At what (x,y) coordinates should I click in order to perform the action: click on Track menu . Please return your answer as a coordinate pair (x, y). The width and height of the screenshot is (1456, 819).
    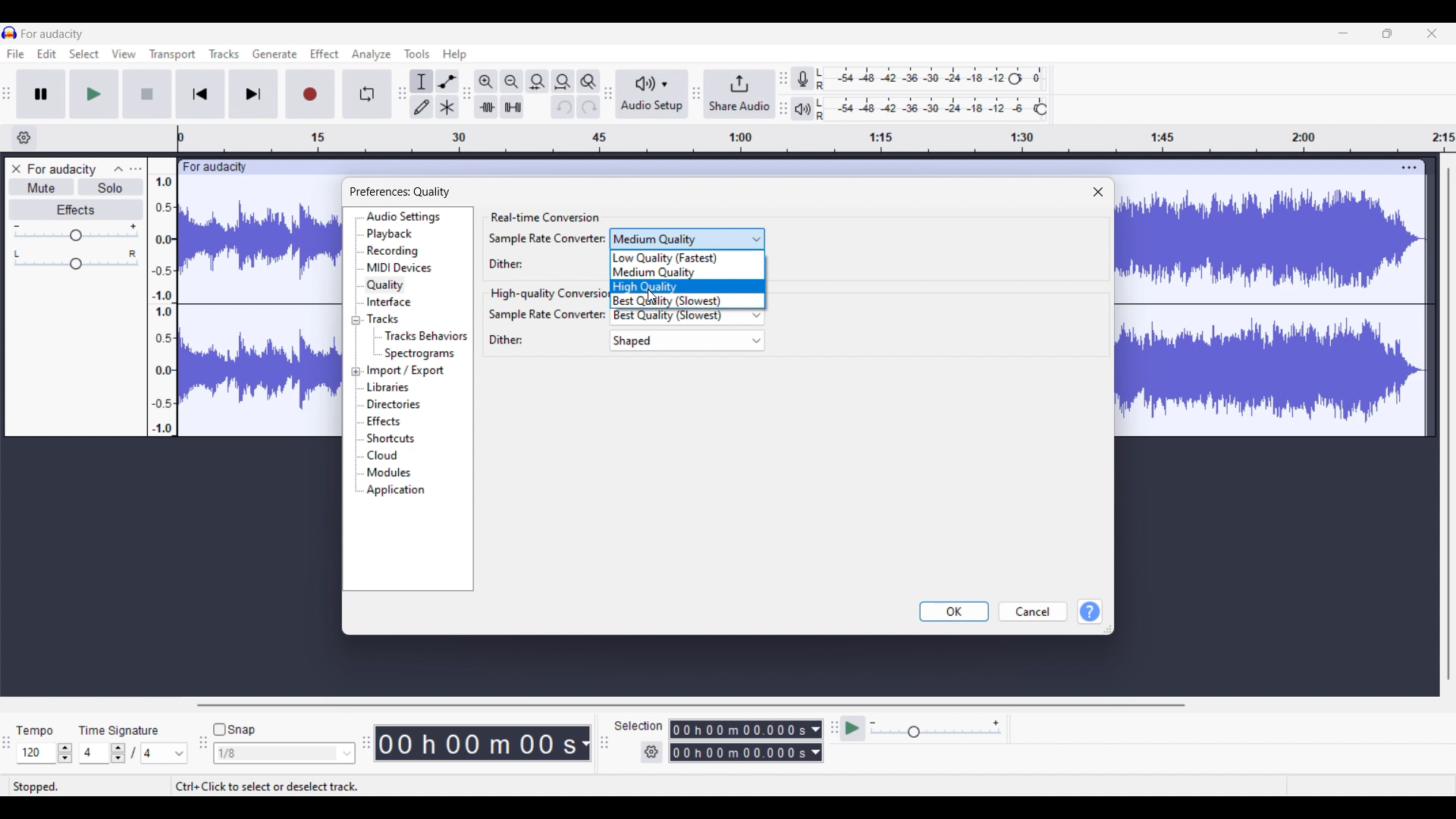
    Looking at the image, I should click on (224, 54).